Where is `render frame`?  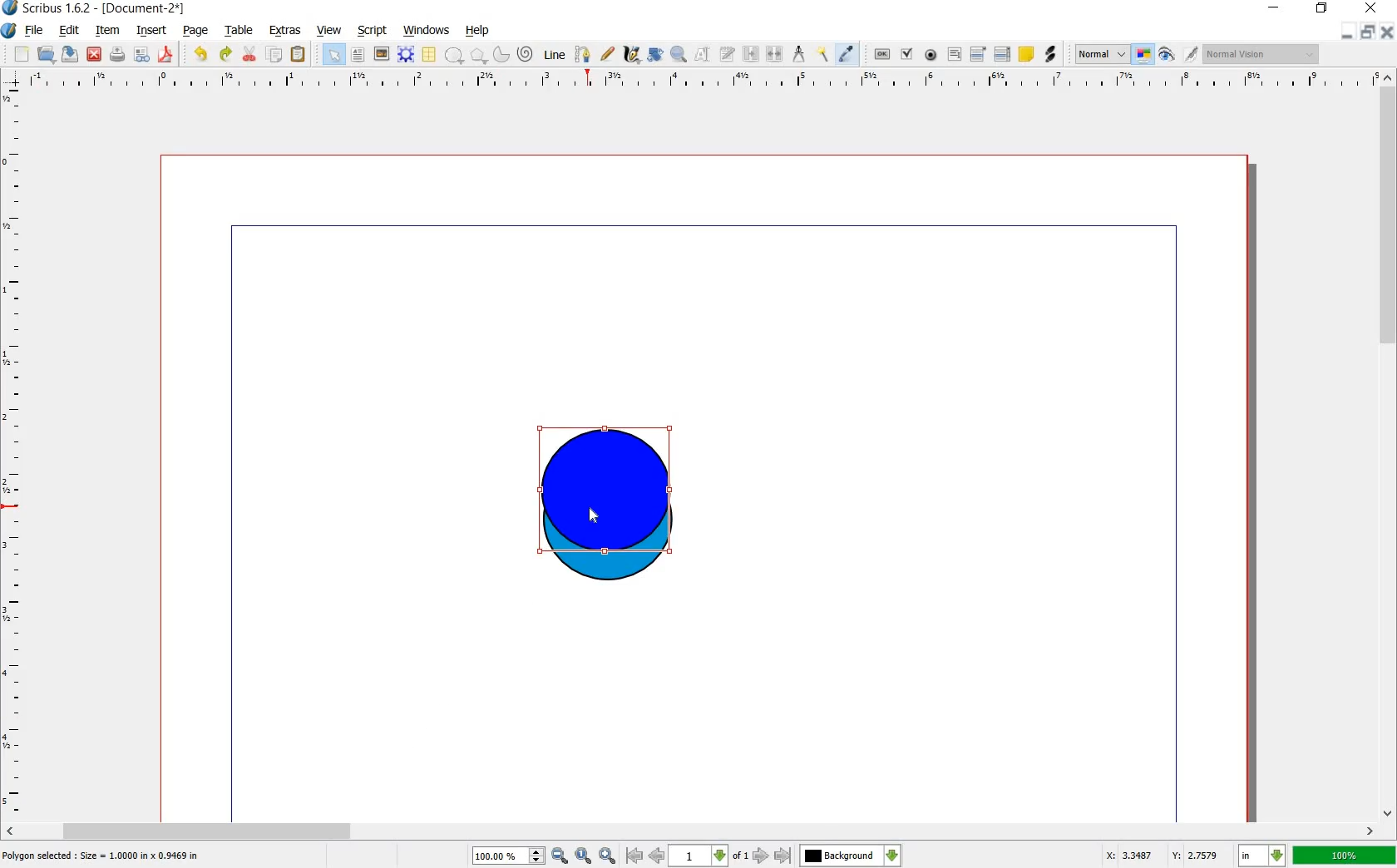 render frame is located at coordinates (405, 53).